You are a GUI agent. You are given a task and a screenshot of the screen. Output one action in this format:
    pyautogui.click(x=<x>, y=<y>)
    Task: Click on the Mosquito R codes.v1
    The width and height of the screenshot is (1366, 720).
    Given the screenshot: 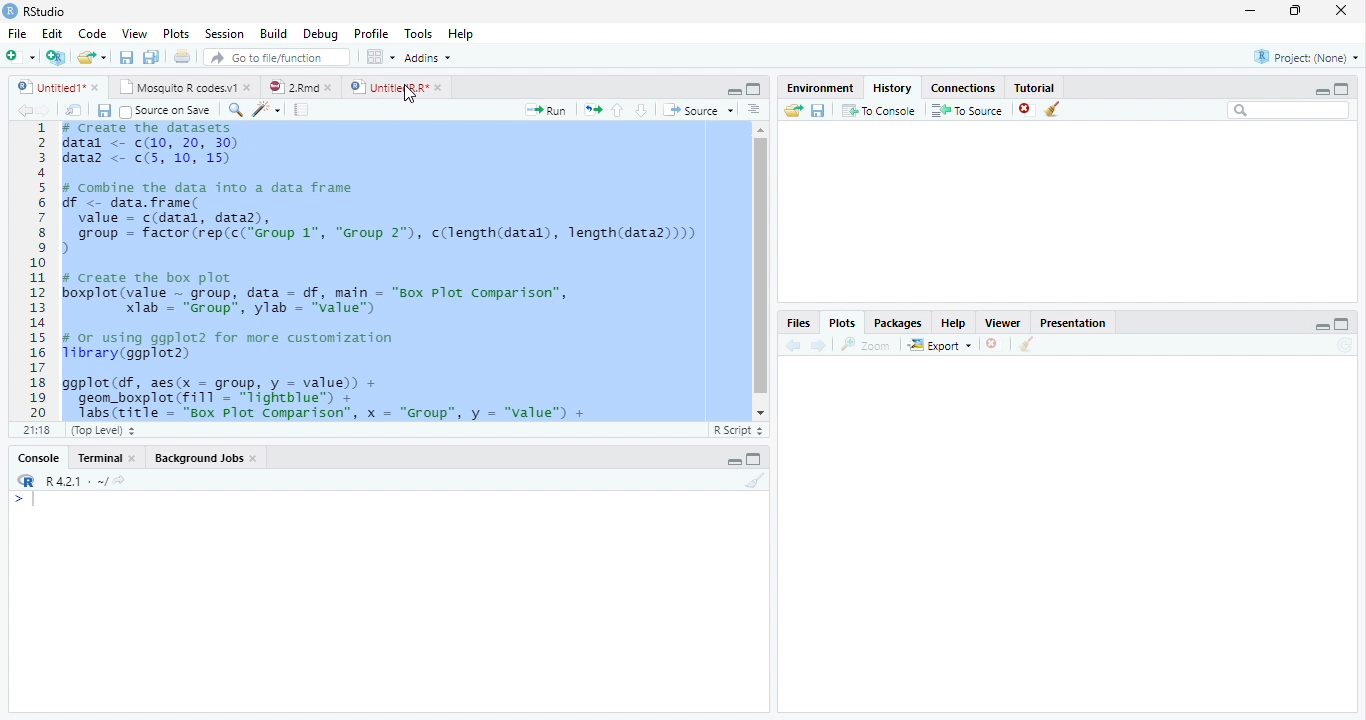 What is the action you would take?
    pyautogui.click(x=175, y=87)
    